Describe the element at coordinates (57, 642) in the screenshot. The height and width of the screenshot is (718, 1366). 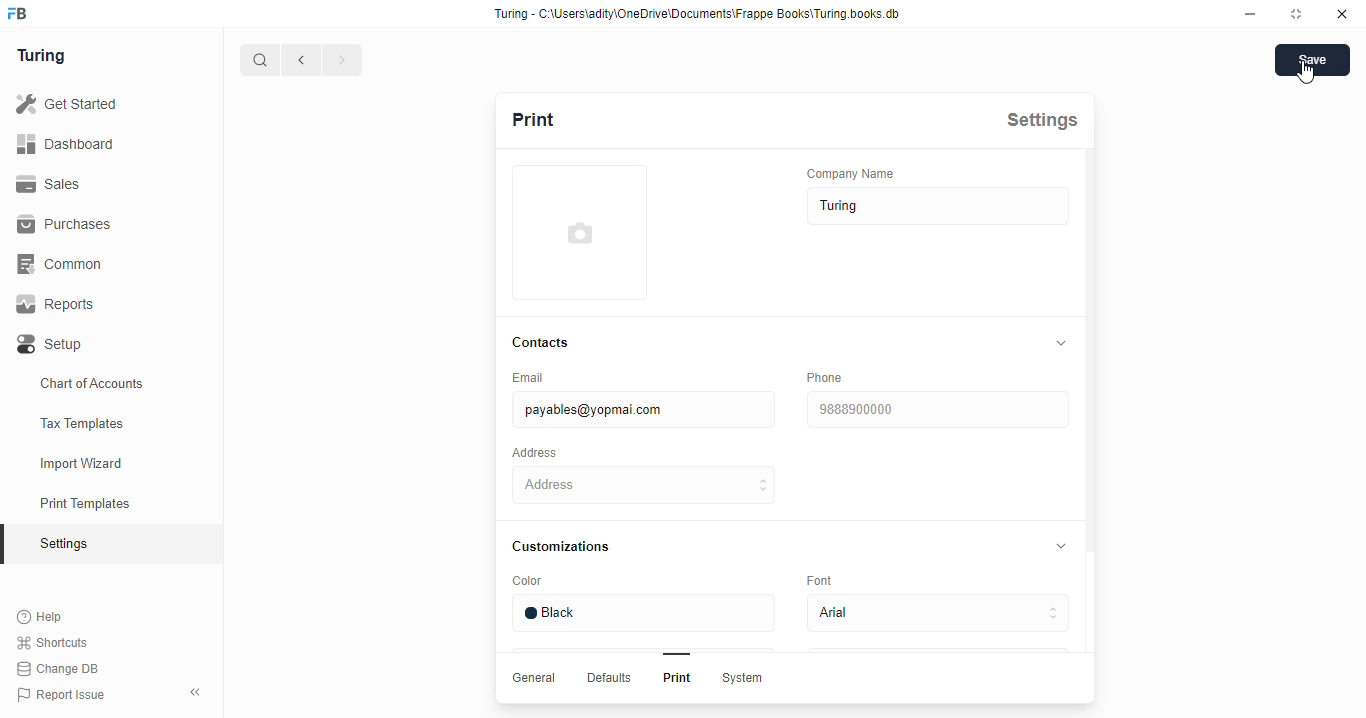
I see `Shortcuts` at that location.